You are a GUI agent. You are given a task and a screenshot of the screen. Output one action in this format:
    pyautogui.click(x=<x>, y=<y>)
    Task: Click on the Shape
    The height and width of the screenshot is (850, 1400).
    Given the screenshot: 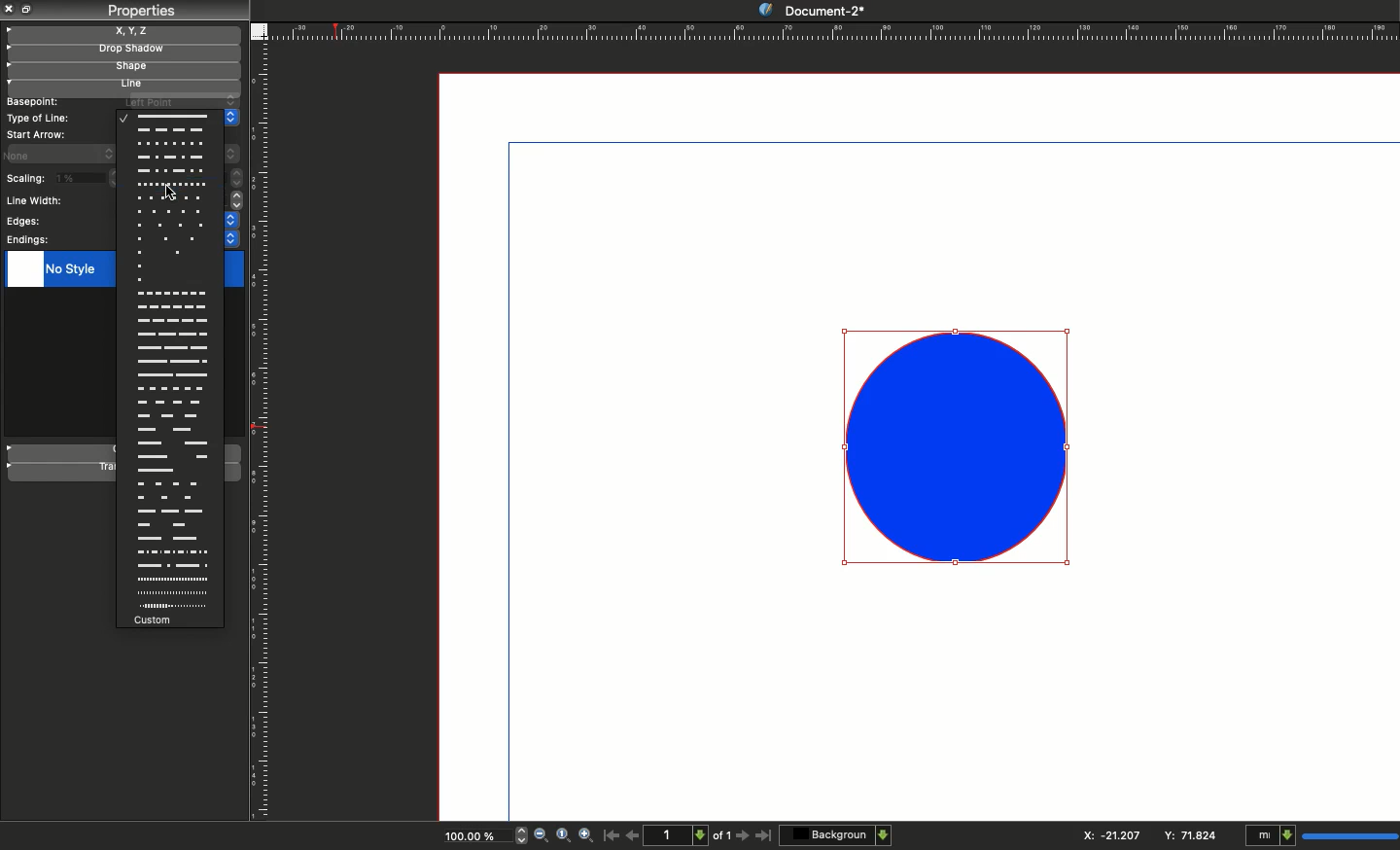 What is the action you would take?
    pyautogui.click(x=960, y=446)
    